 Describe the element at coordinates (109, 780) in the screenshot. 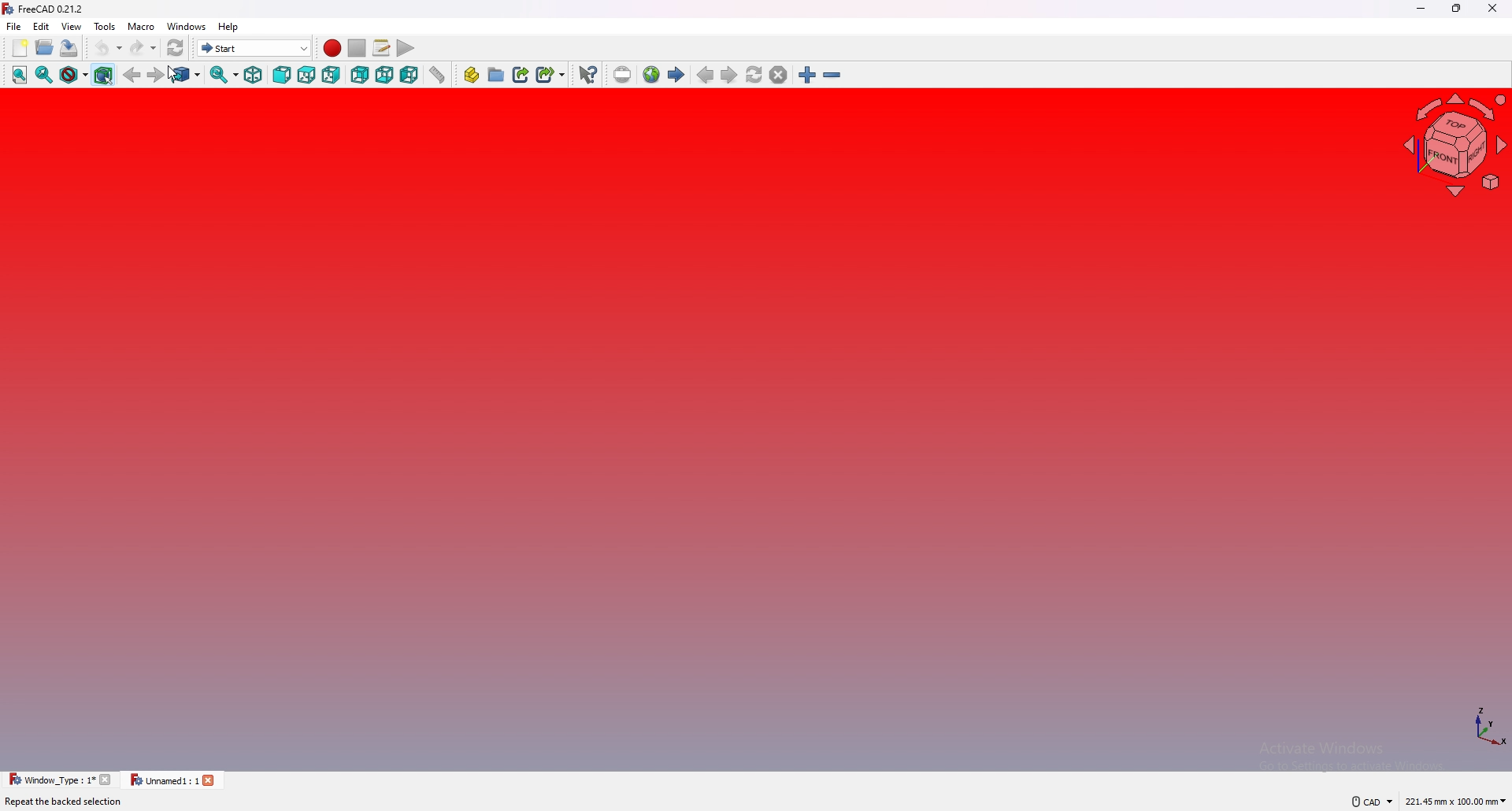

I see `close` at that location.